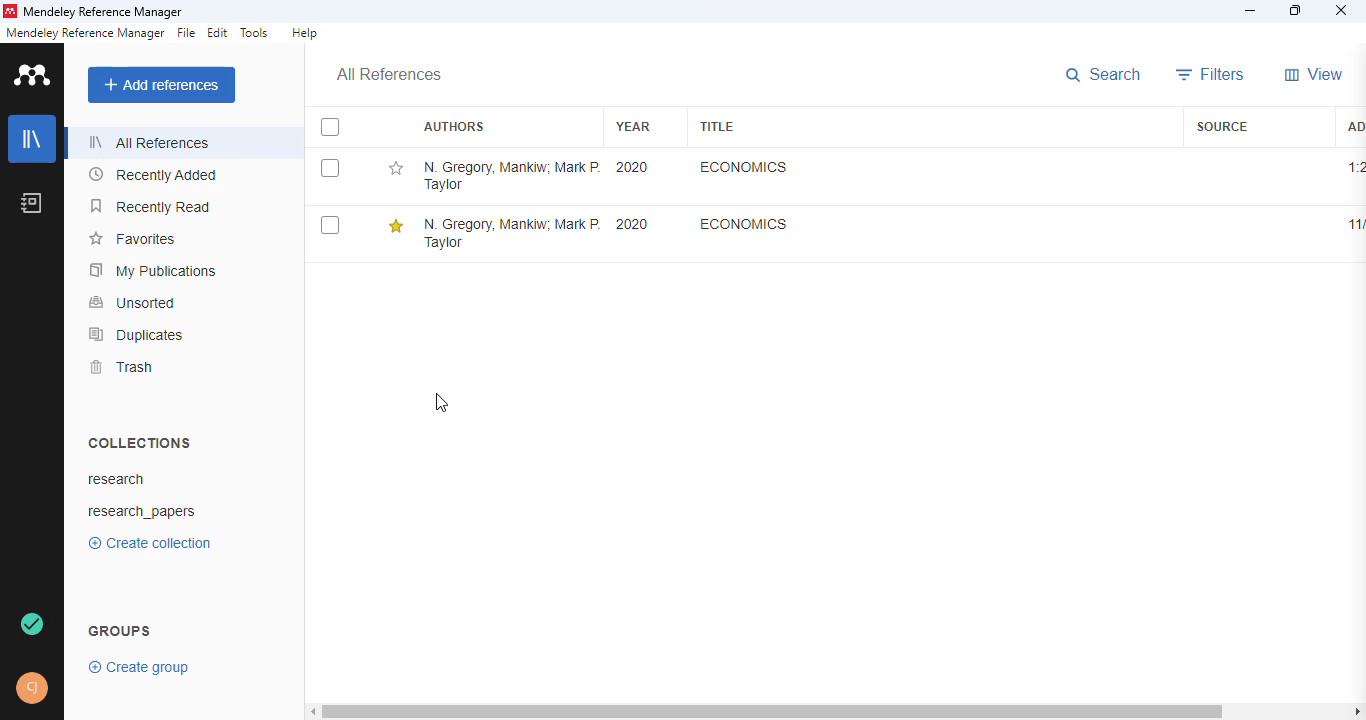  Describe the element at coordinates (1296, 11) in the screenshot. I see `maximize` at that location.